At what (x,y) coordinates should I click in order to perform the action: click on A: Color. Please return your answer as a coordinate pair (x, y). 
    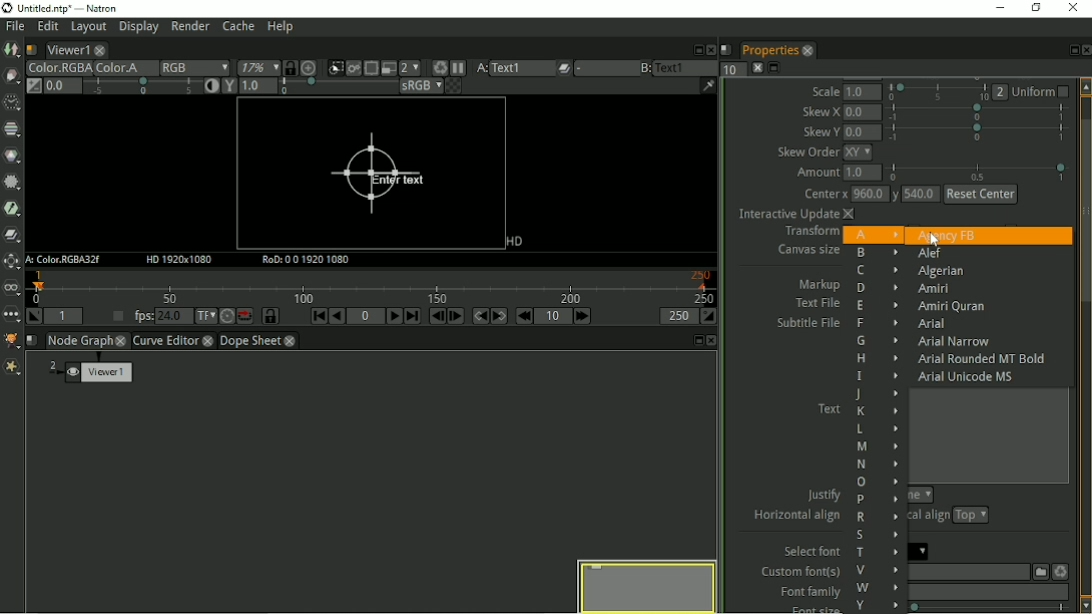
    Looking at the image, I should click on (65, 260).